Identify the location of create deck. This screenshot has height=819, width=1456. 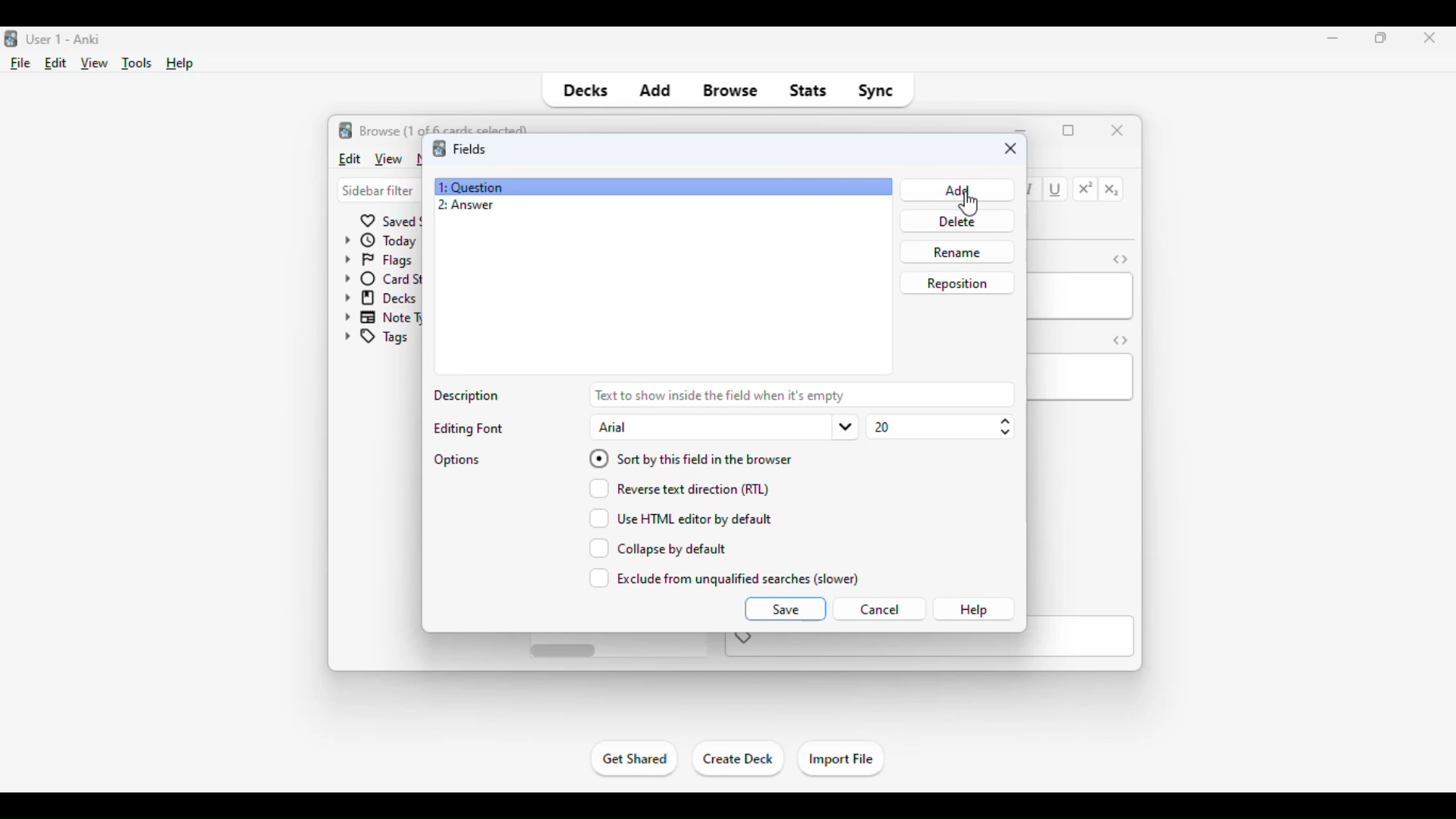
(739, 759).